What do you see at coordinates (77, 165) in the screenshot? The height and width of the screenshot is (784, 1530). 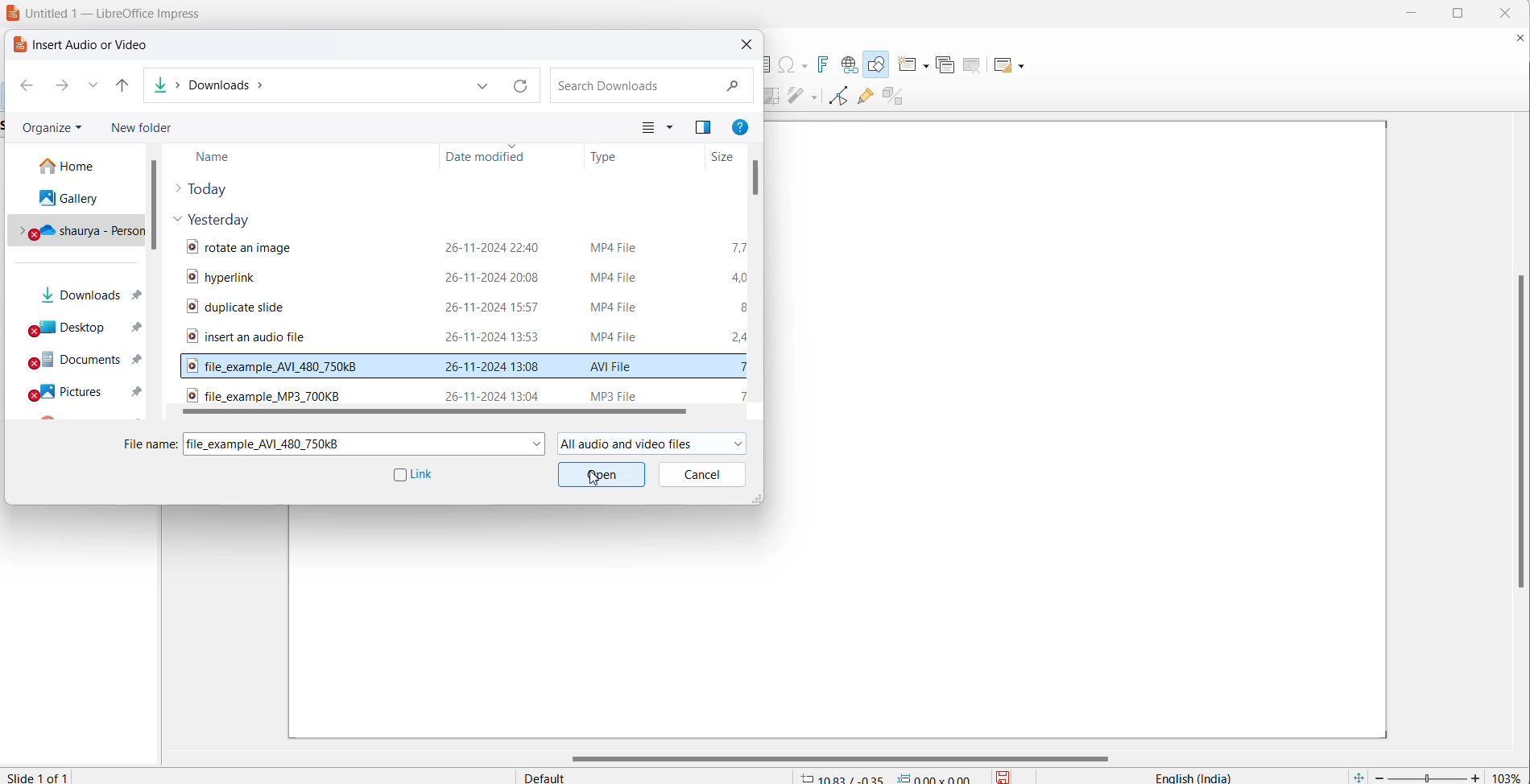 I see `home` at bounding box center [77, 165].